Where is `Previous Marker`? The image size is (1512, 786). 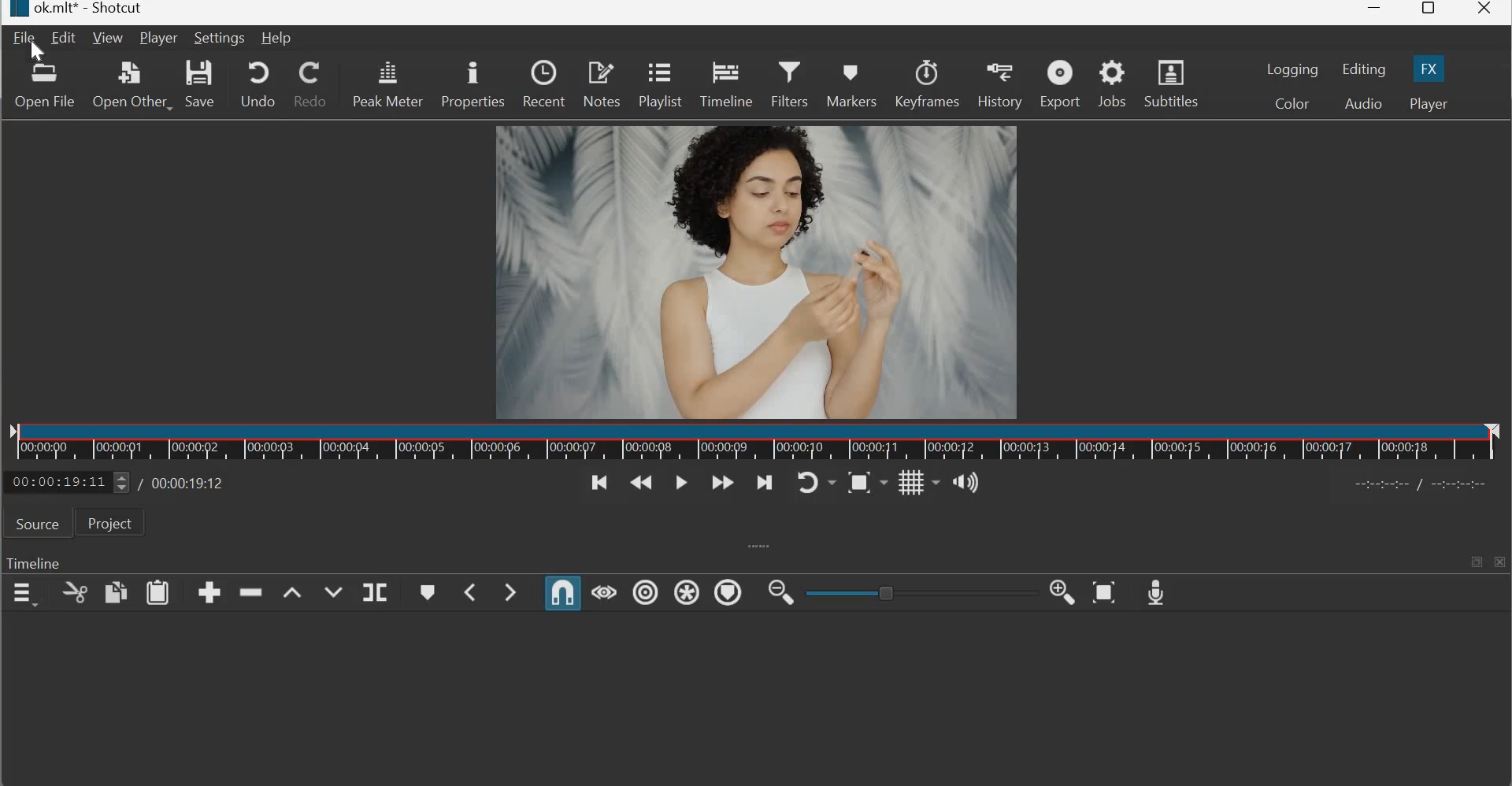
Previous Marker is located at coordinates (471, 592).